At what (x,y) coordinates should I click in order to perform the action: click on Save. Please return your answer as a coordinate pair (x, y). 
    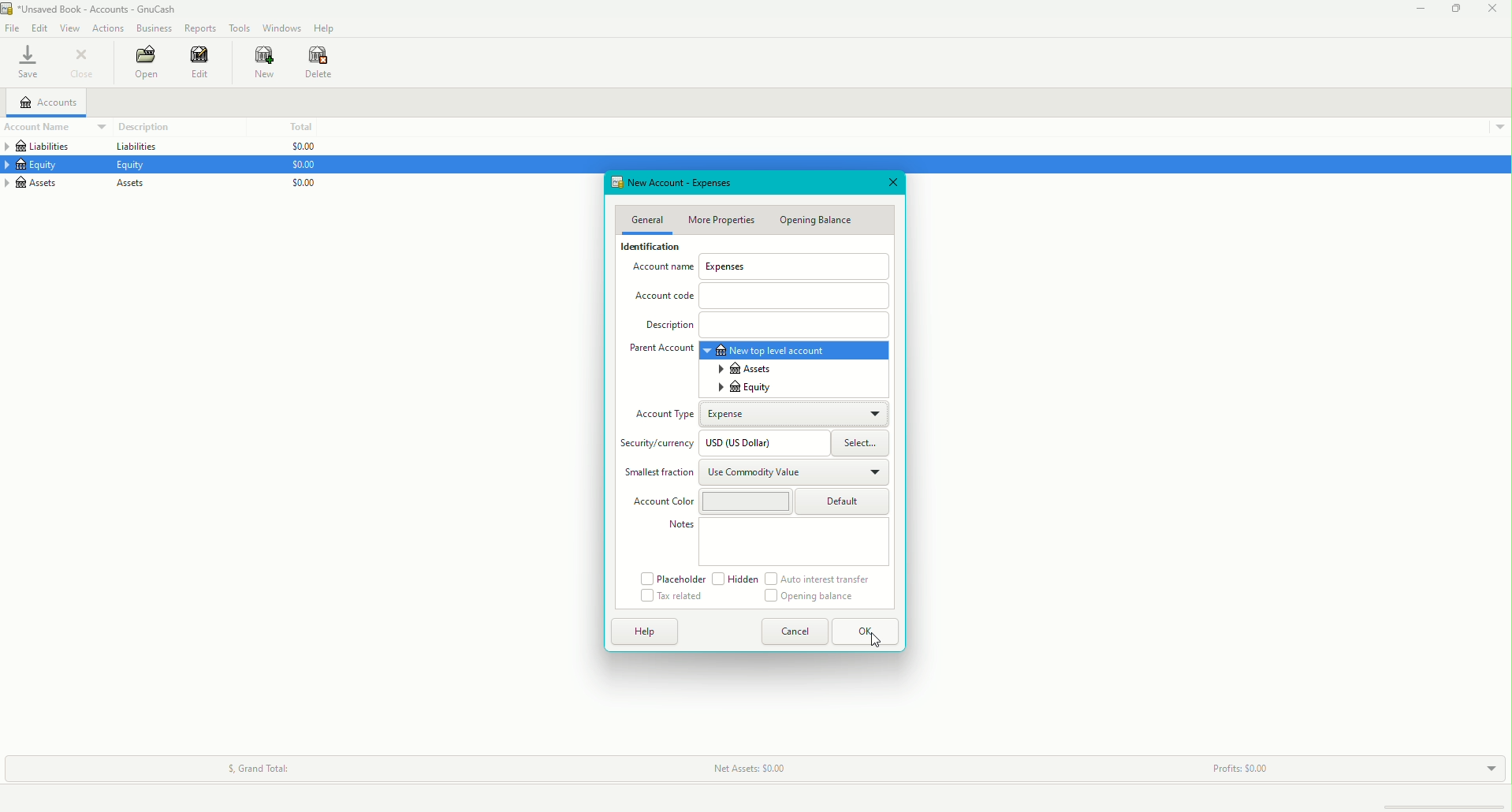
    Looking at the image, I should click on (27, 63).